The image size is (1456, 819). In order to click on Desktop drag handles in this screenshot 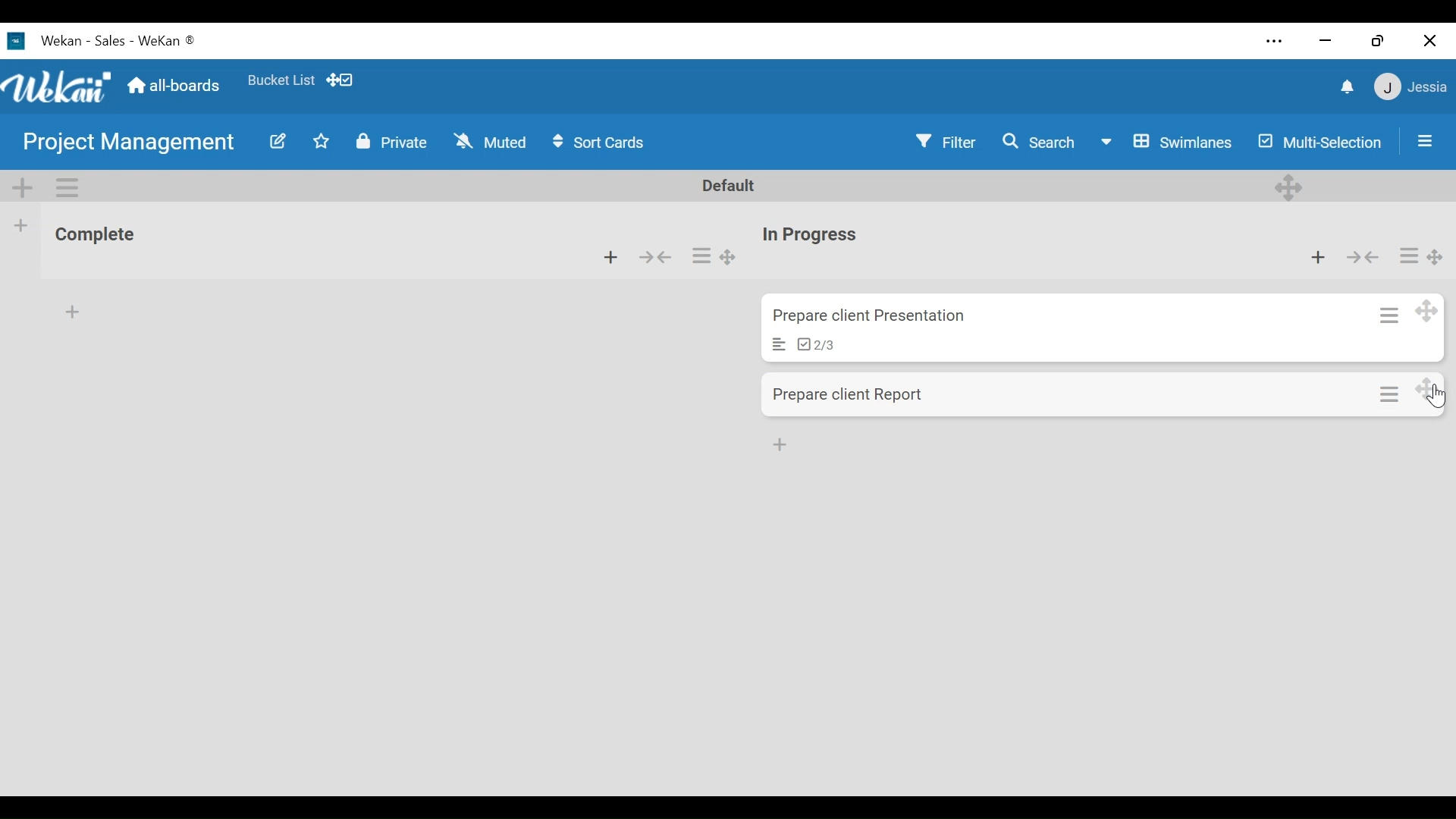, I will do `click(1287, 186)`.